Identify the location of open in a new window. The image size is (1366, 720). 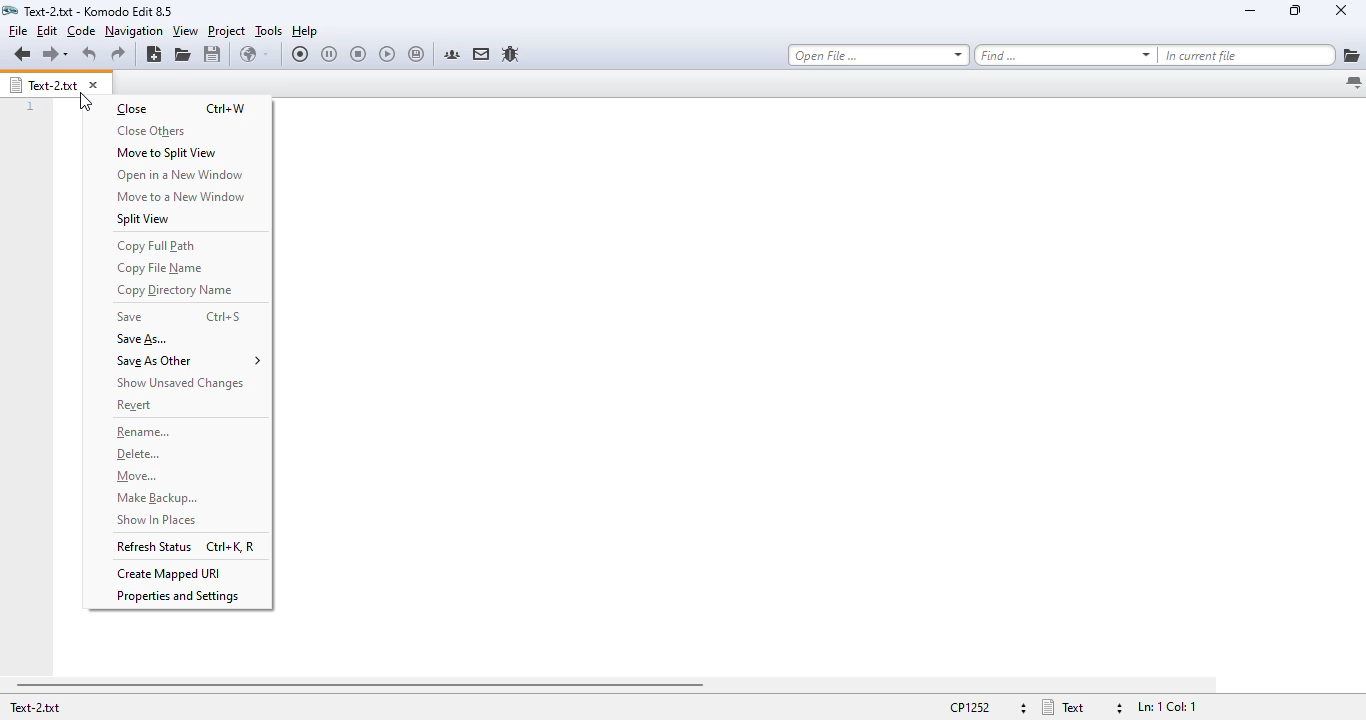
(182, 174).